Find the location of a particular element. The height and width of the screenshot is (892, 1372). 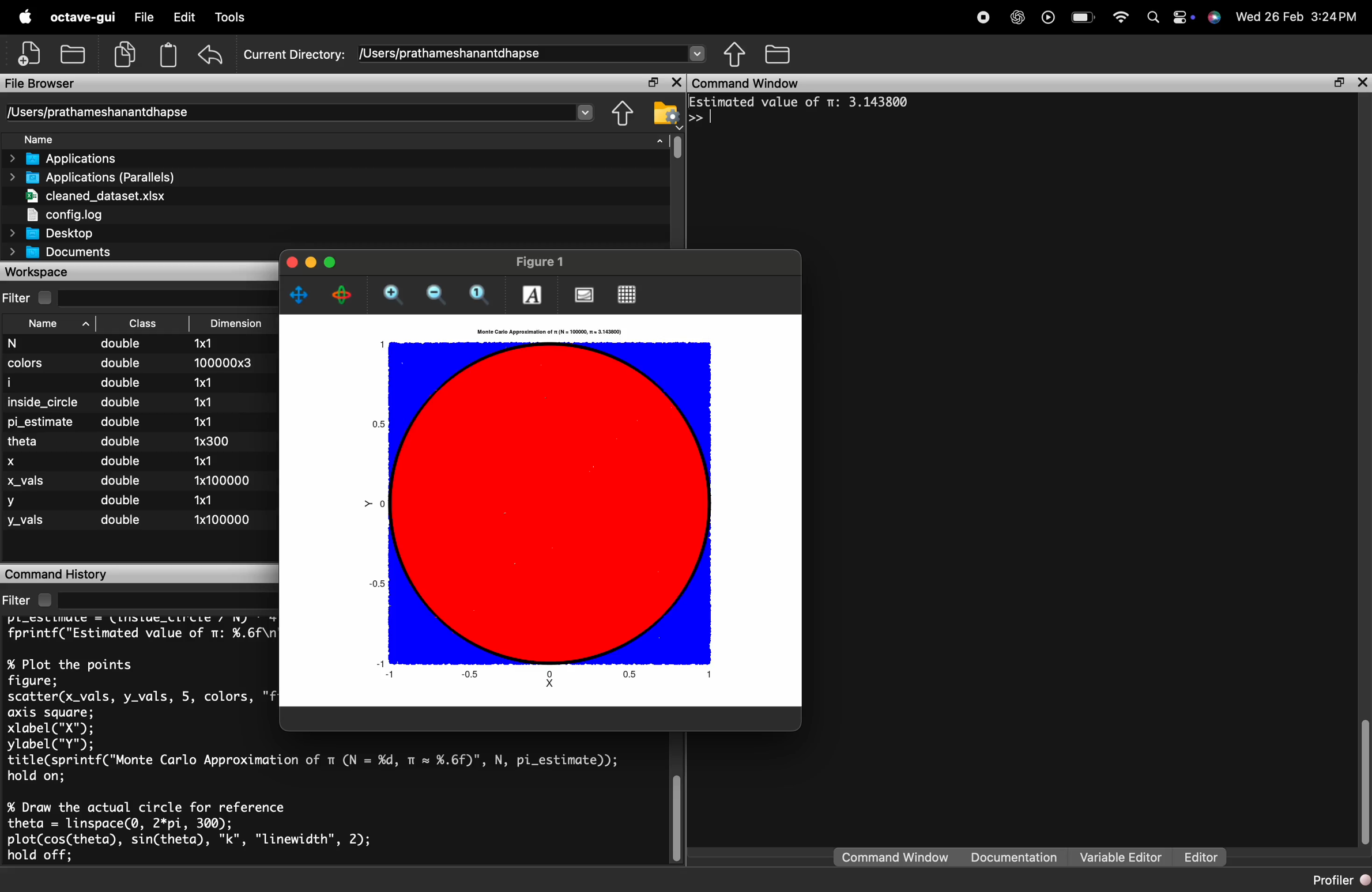

double is located at coordinates (125, 463).